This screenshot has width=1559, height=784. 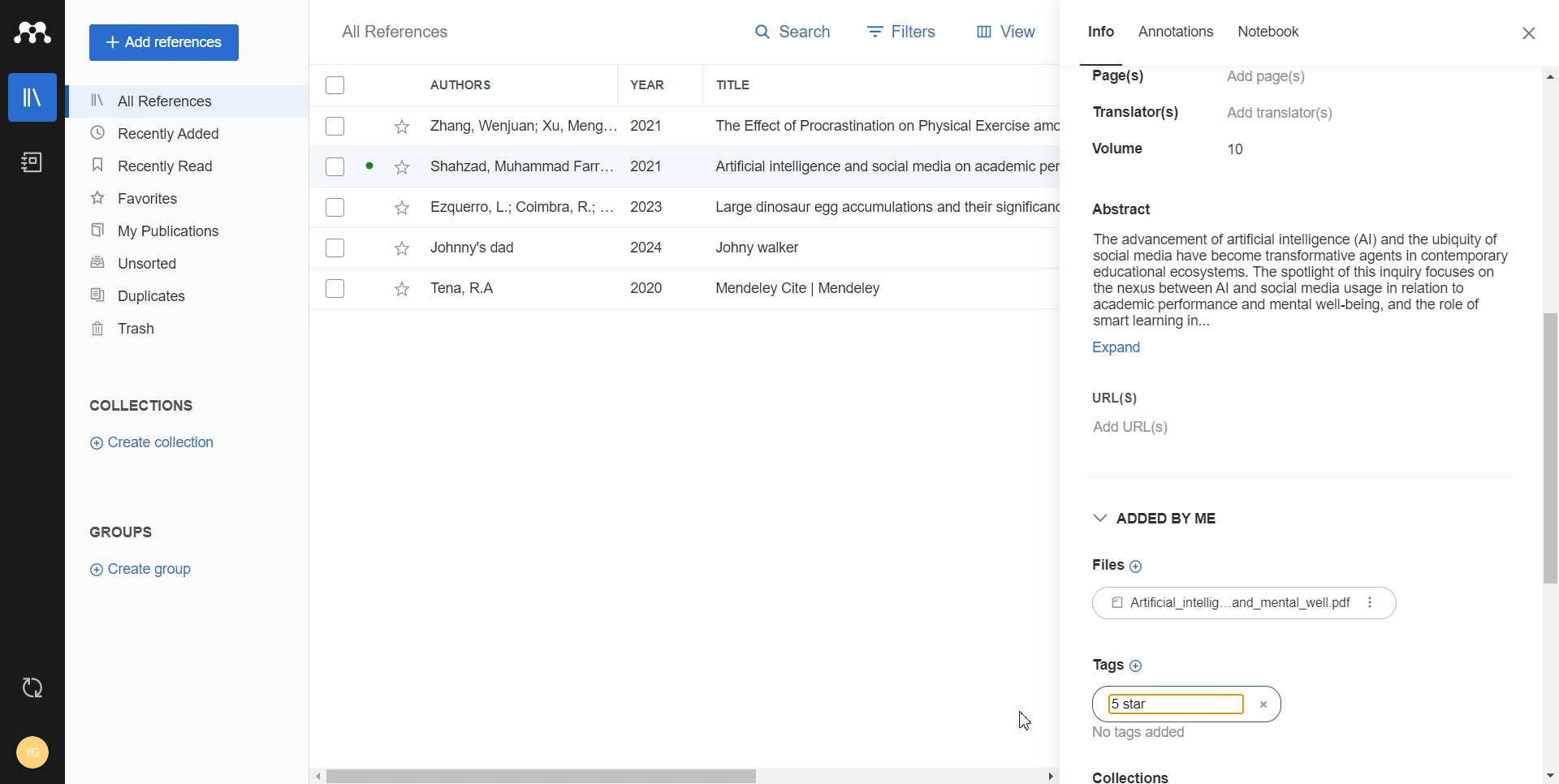 What do you see at coordinates (1267, 41) in the screenshot?
I see `Notebook` at bounding box center [1267, 41].